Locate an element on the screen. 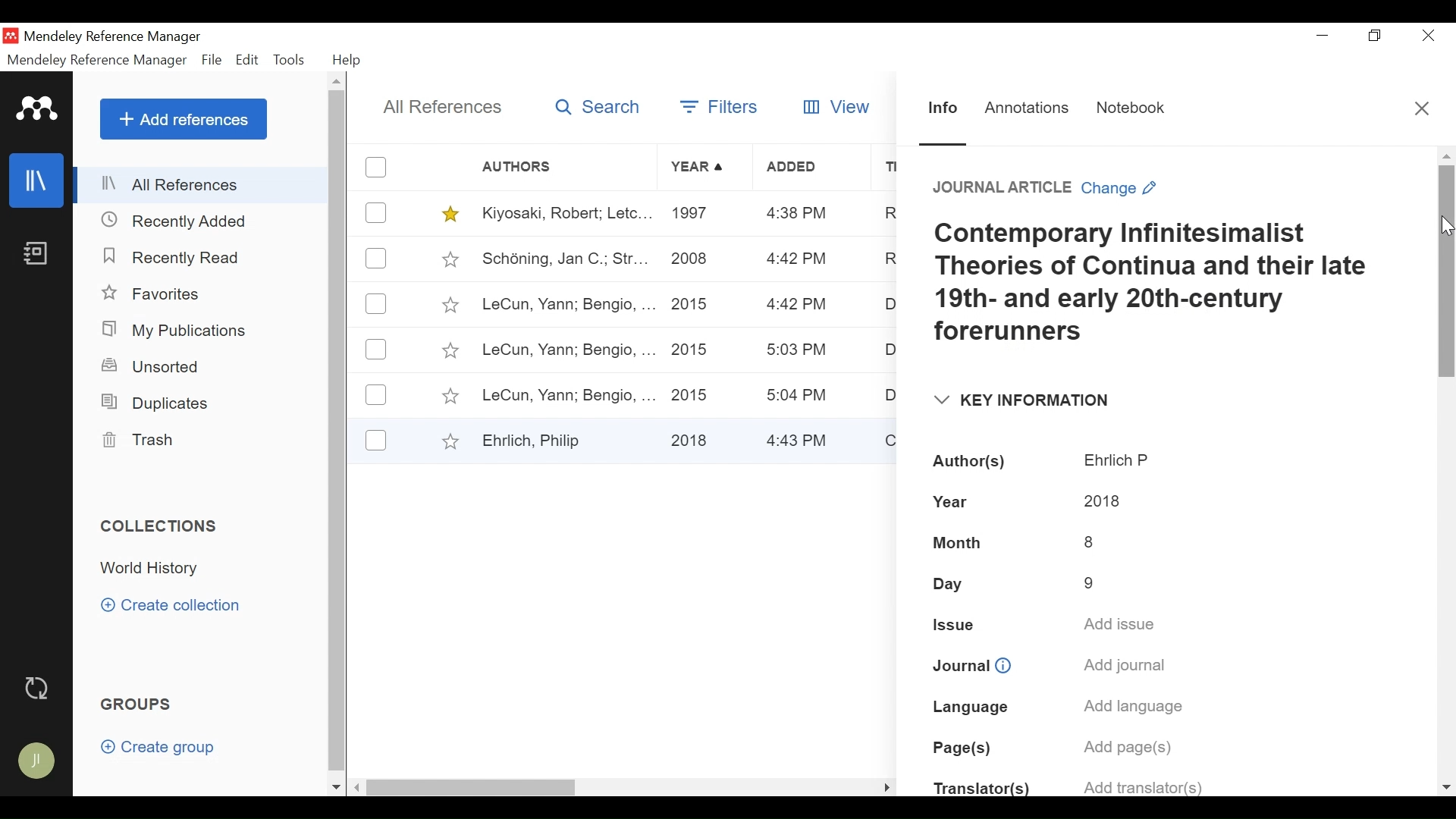 The height and width of the screenshot is (819, 1456). 4:42 PM is located at coordinates (796, 260).